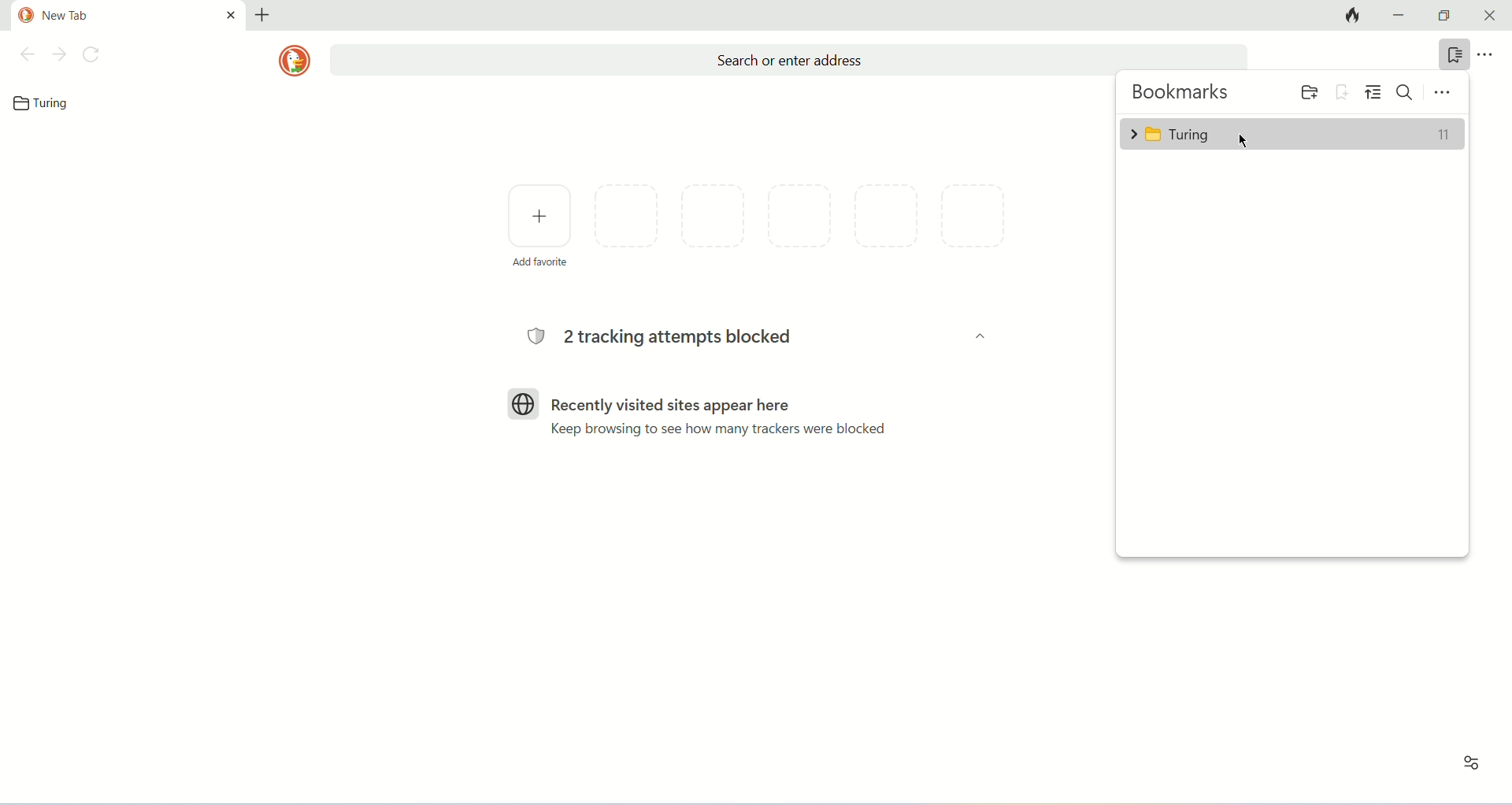 The height and width of the screenshot is (805, 1512). I want to click on logo, so click(295, 61).